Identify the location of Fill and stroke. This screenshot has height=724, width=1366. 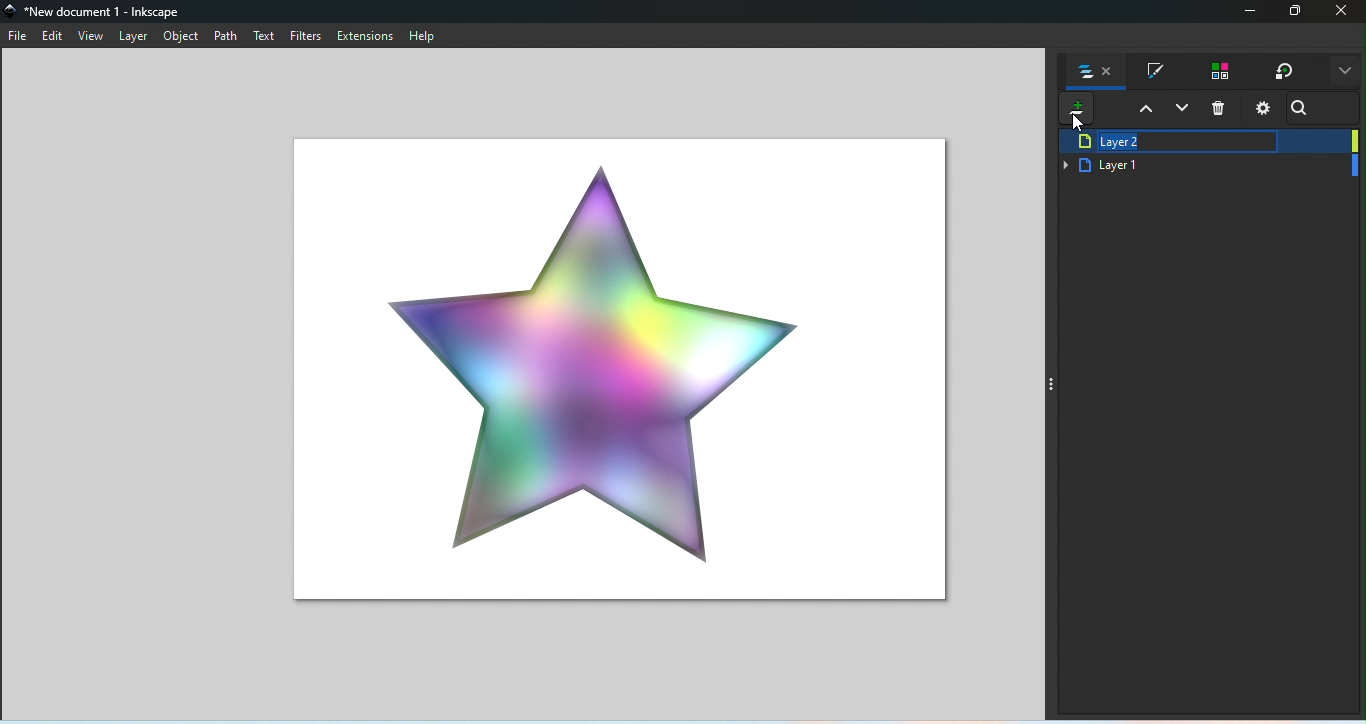
(1155, 72).